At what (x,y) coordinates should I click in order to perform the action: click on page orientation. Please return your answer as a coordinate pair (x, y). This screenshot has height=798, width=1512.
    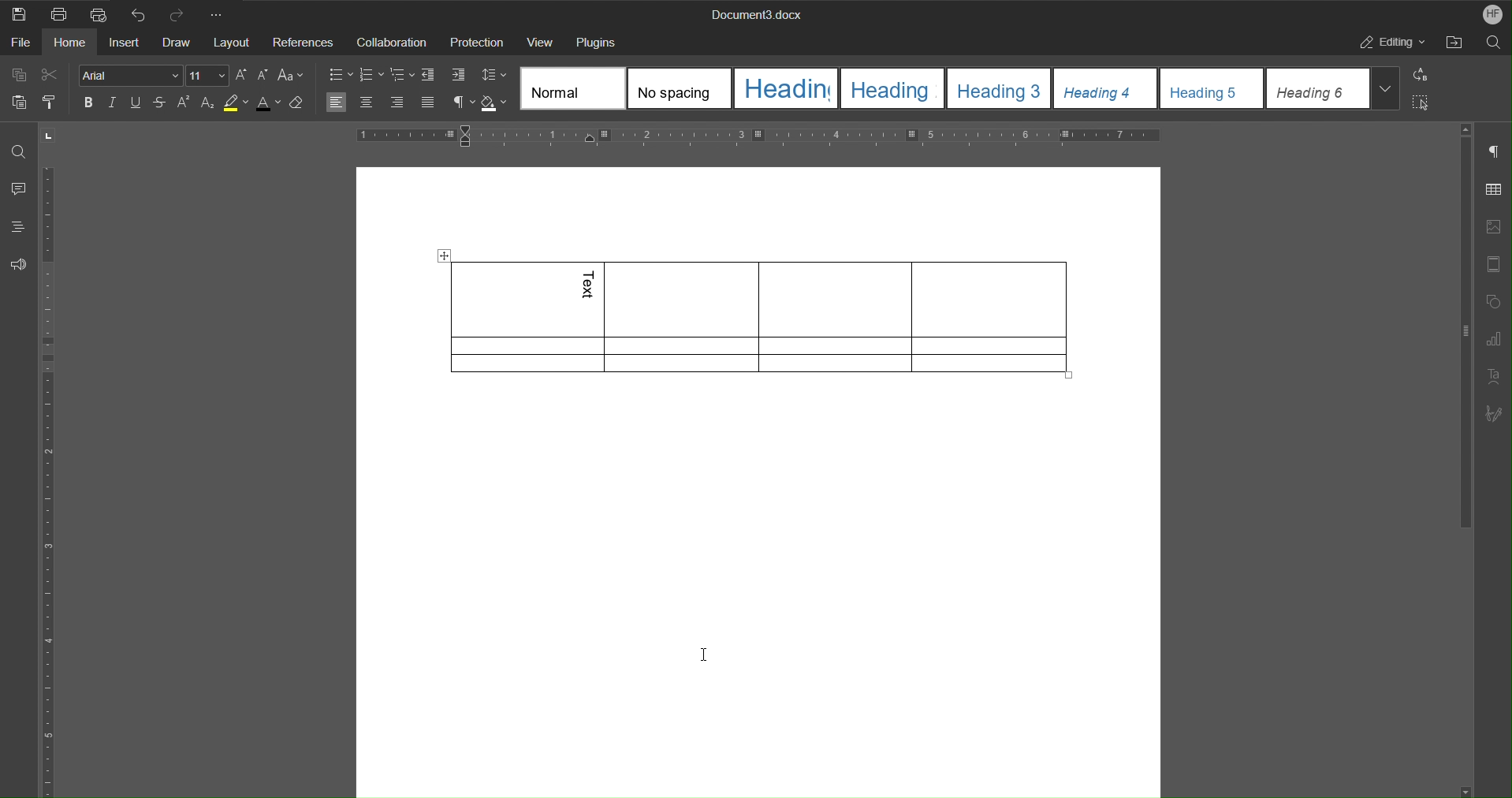
    Looking at the image, I should click on (48, 136).